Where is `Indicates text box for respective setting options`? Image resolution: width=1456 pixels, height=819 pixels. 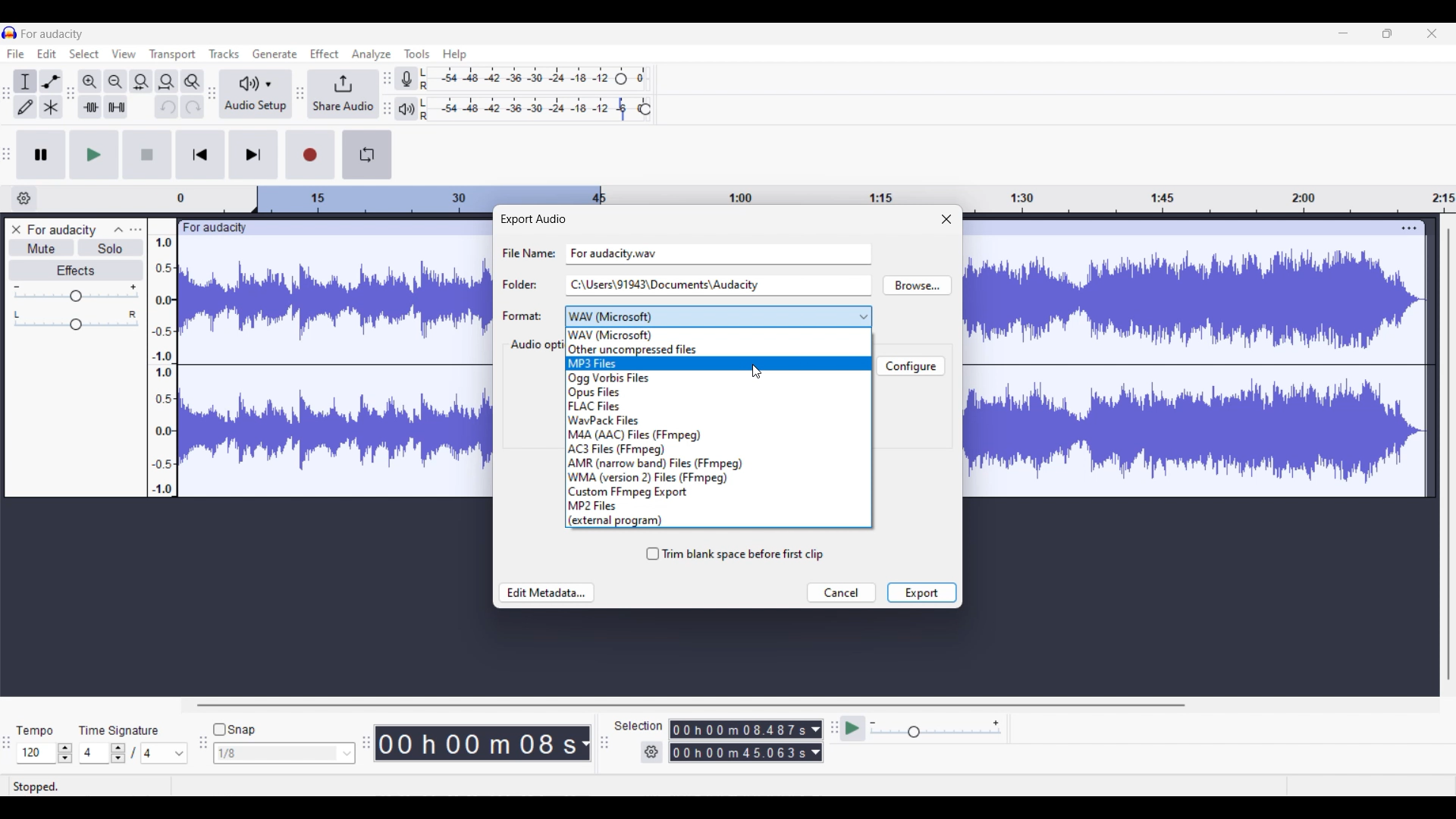 Indicates text box for respective setting options is located at coordinates (527, 284).